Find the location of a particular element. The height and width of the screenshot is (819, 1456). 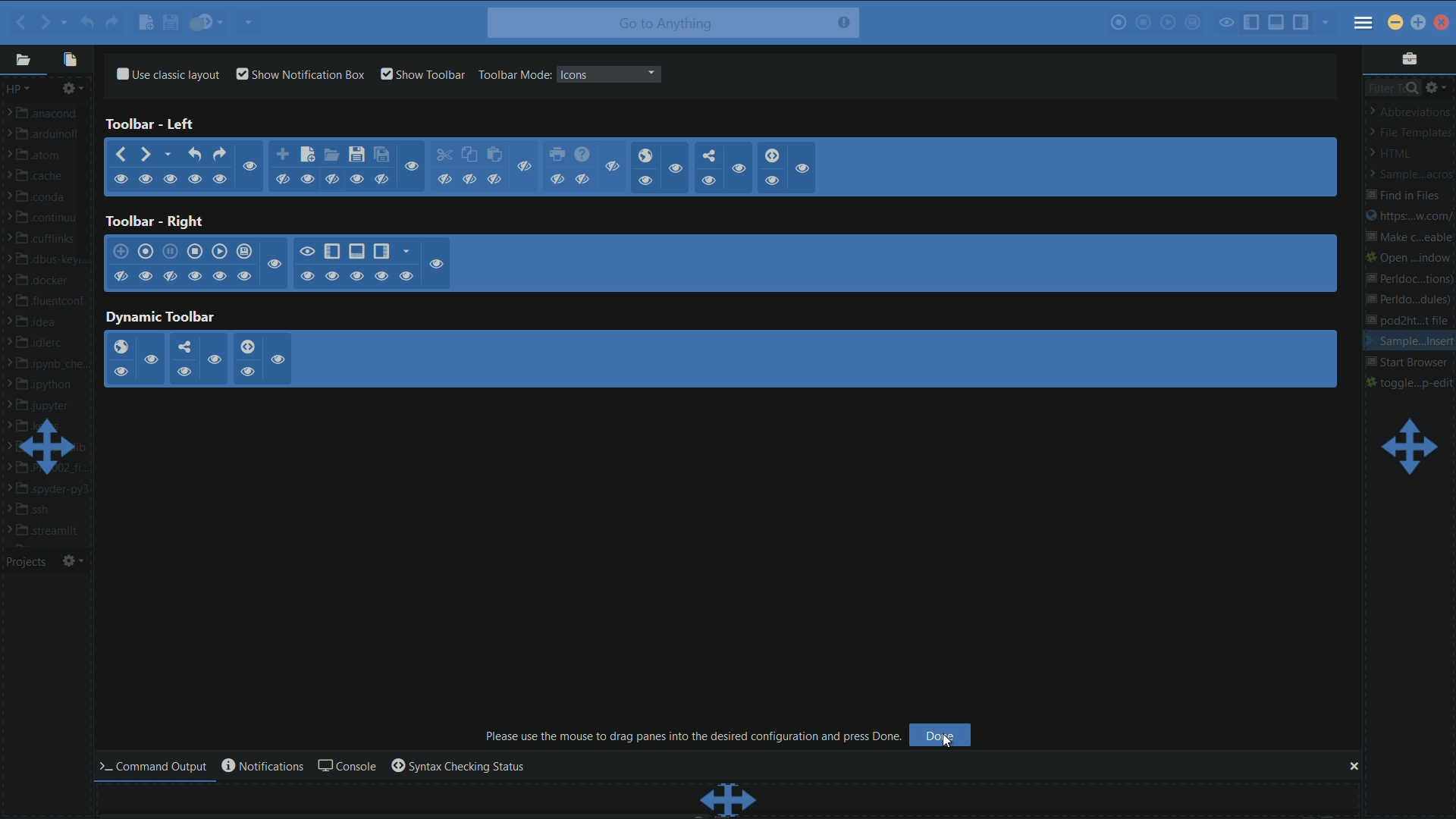

toolbar right is located at coordinates (153, 221).